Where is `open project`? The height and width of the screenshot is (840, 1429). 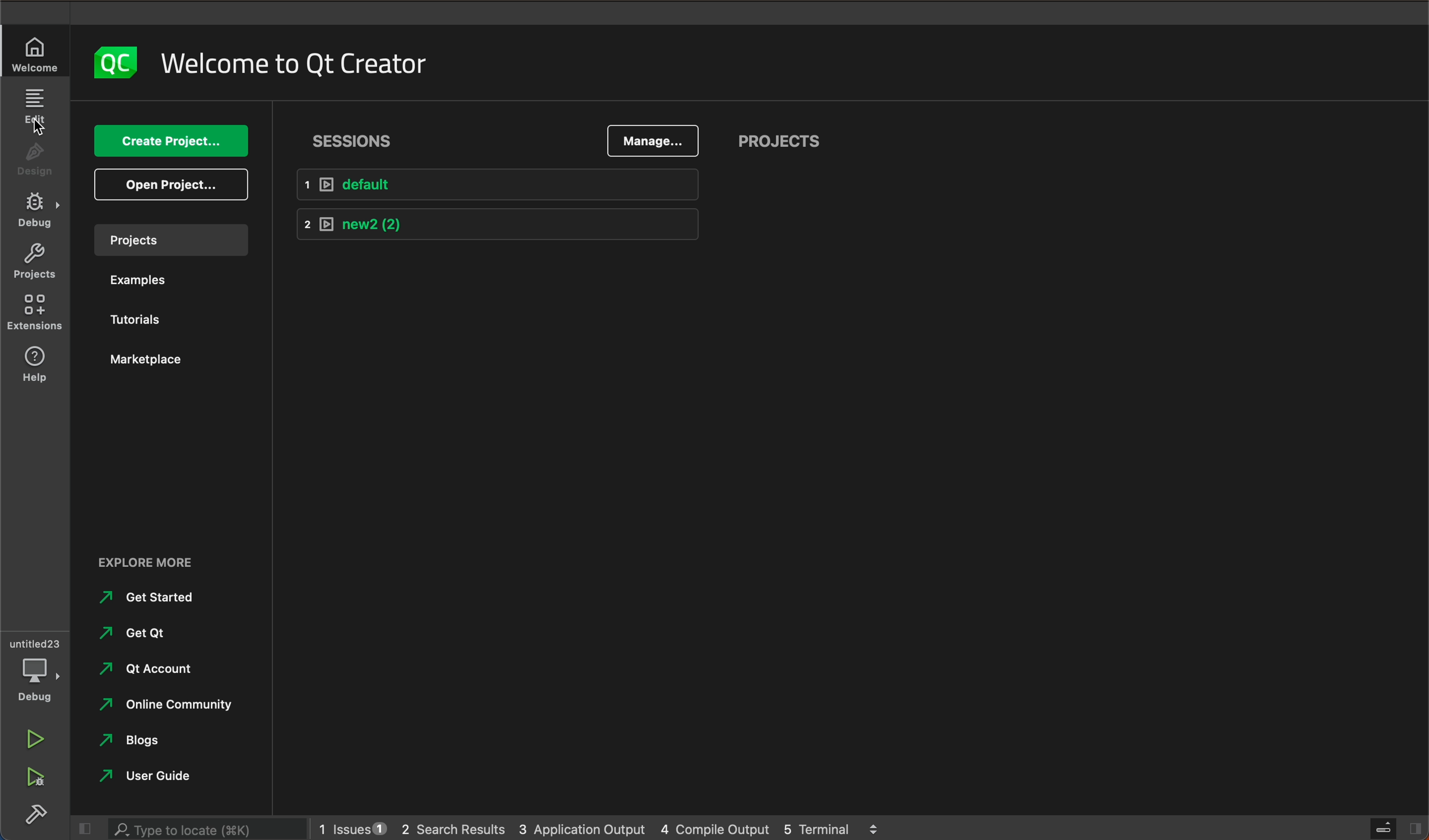 open project is located at coordinates (166, 185).